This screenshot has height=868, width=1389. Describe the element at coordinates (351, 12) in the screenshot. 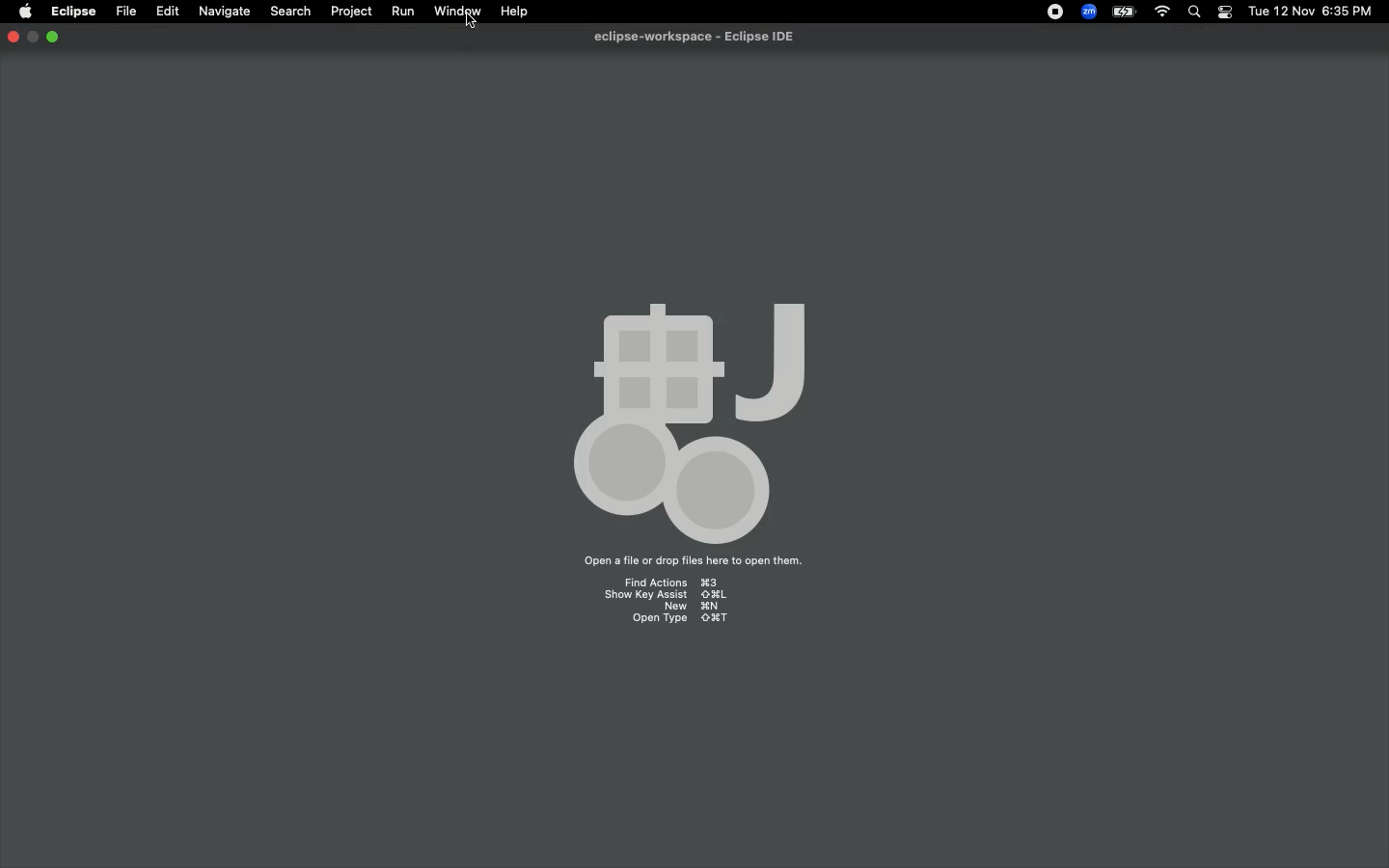

I see `Project` at that location.